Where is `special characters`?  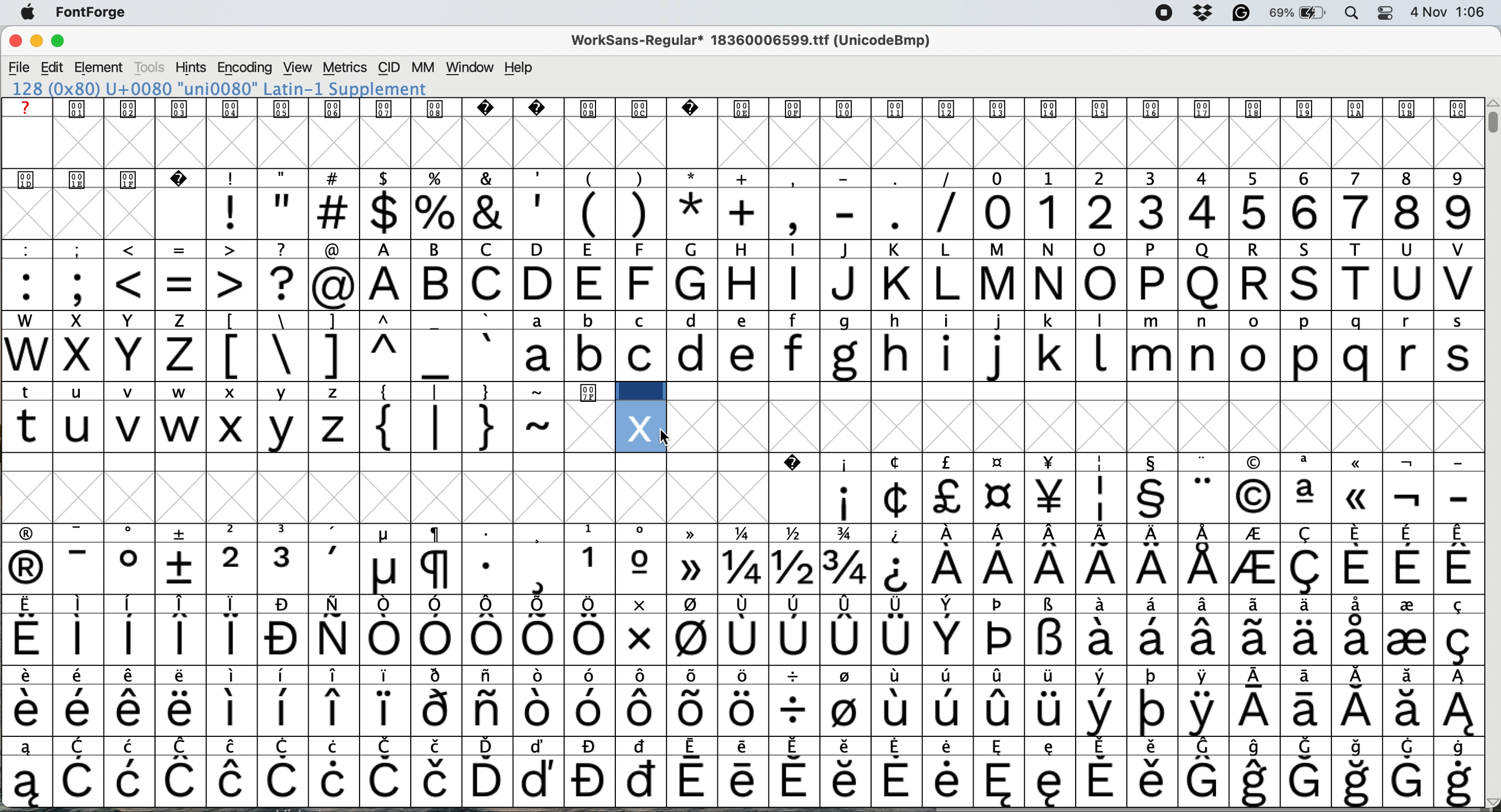
special characters is located at coordinates (362, 392).